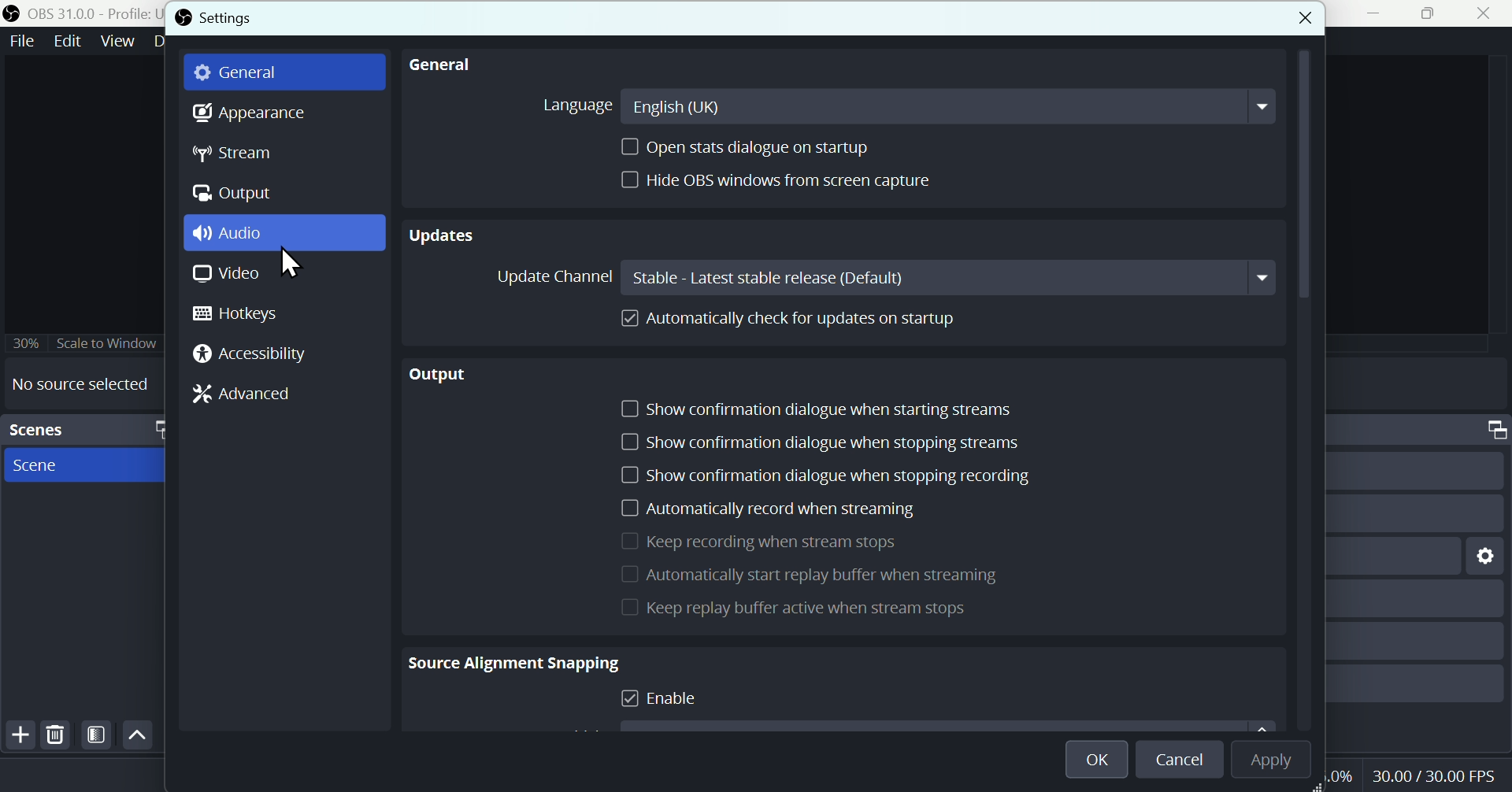  What do you see at coordinates (57, 734) in the screenshot?
I see `Delete` at bounding box center [57, 734].